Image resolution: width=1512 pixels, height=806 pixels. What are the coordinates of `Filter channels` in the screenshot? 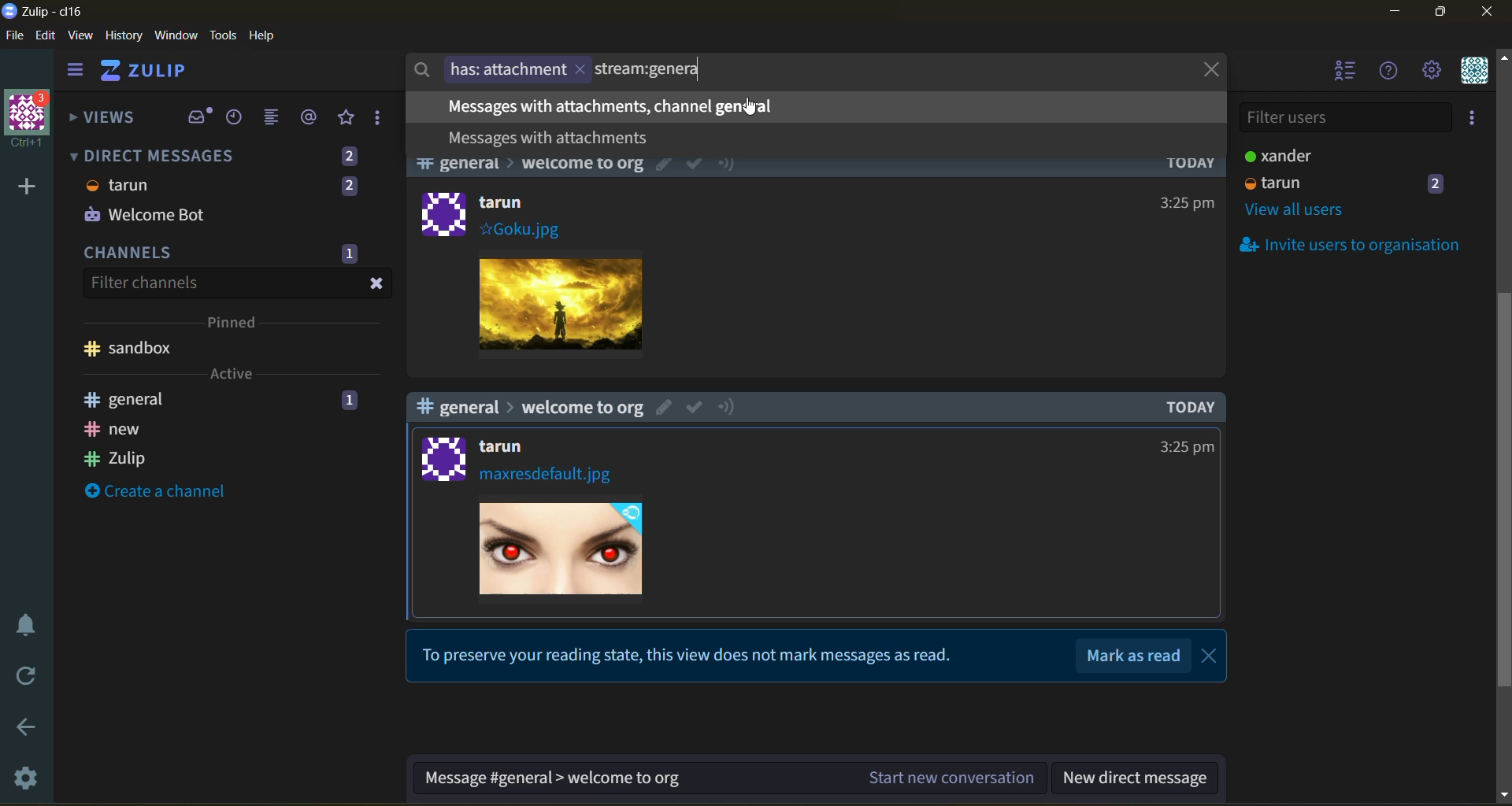 It's located at (143, 283).